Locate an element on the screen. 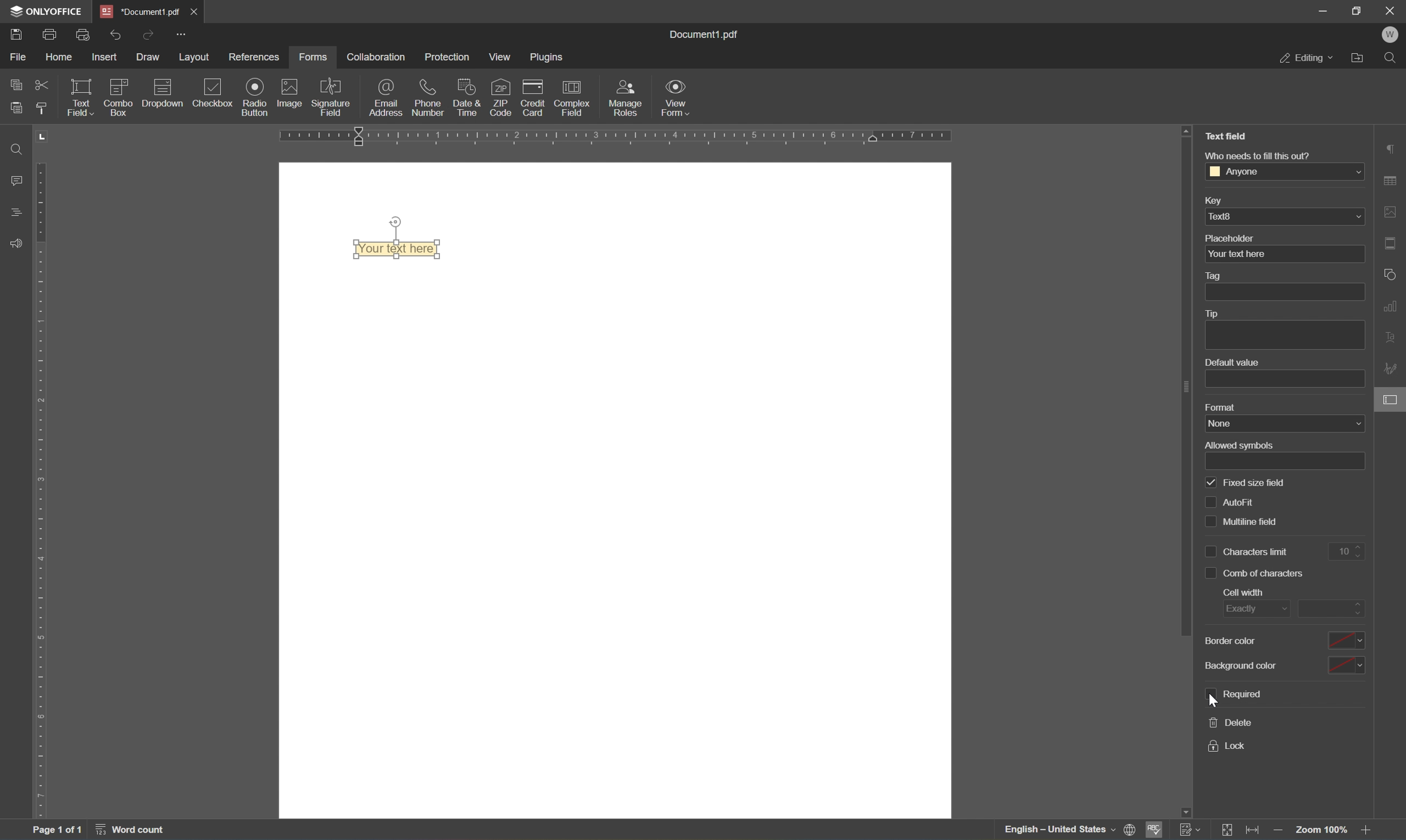 Image resolution: width=1406 pixels, height=840 pixels. tip is located at coordinates (1216, 314).